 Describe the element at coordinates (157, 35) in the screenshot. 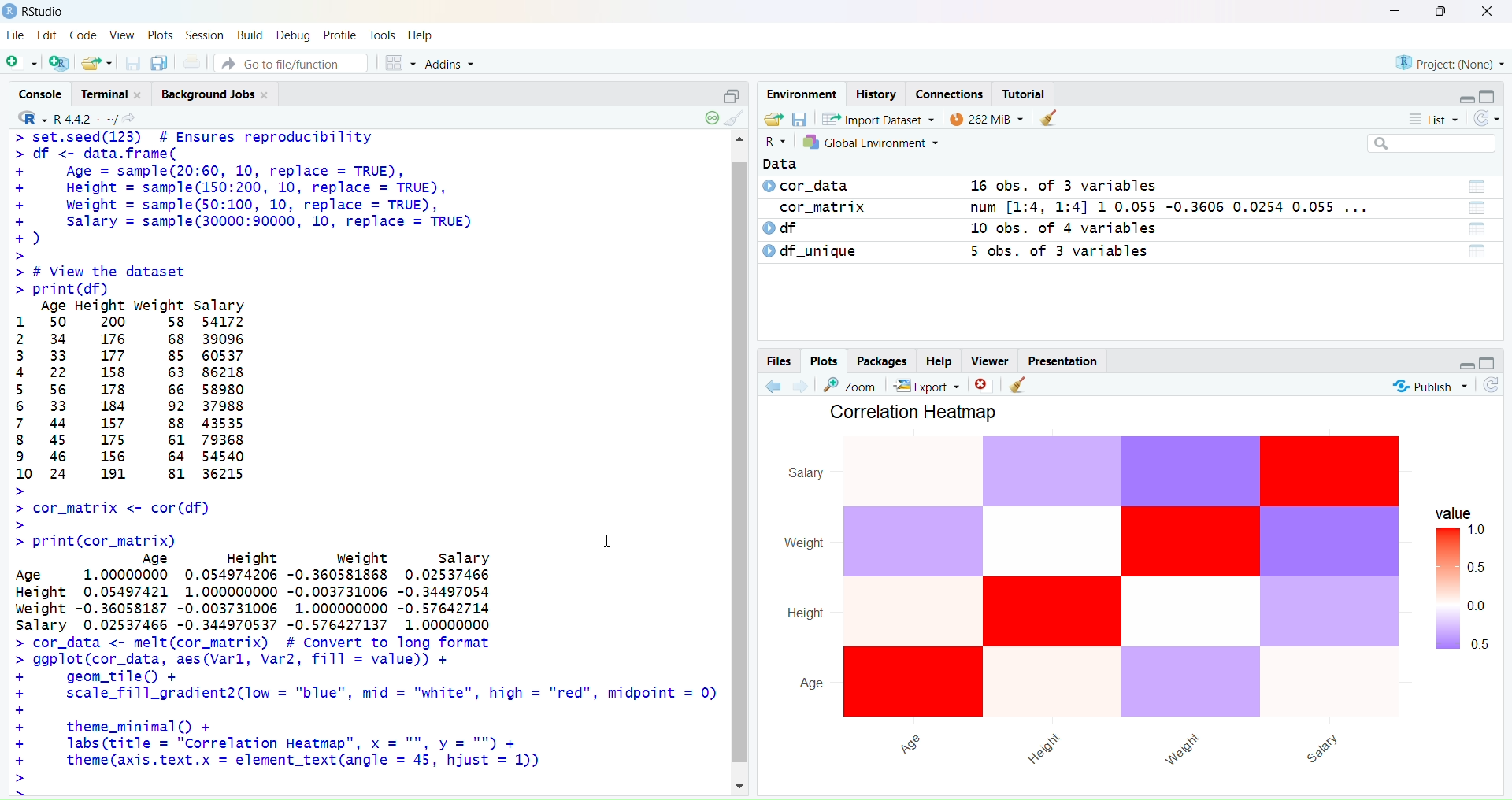

I see `Posts` at that location.